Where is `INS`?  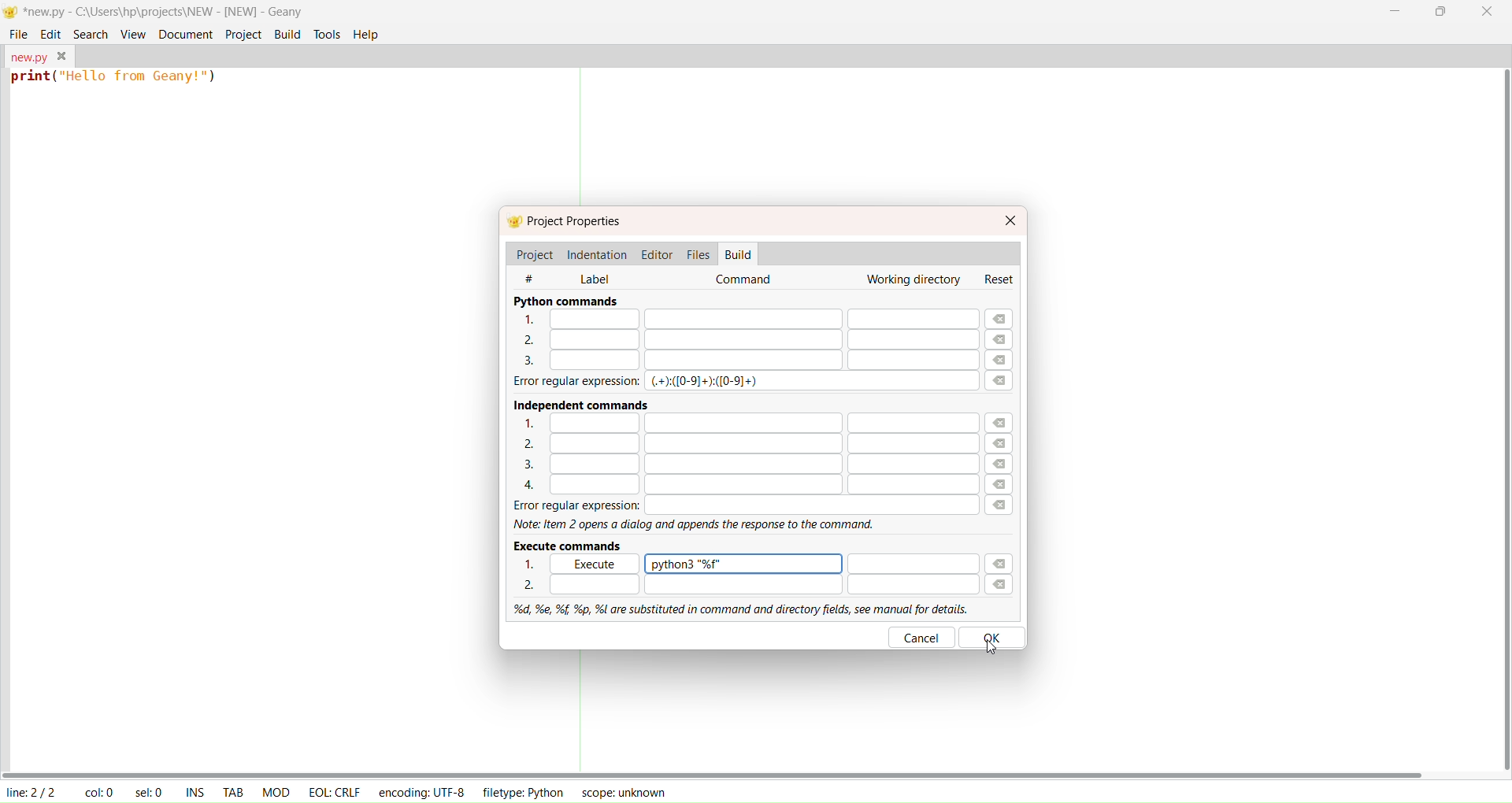 INS is located at coordinates (195, 790).